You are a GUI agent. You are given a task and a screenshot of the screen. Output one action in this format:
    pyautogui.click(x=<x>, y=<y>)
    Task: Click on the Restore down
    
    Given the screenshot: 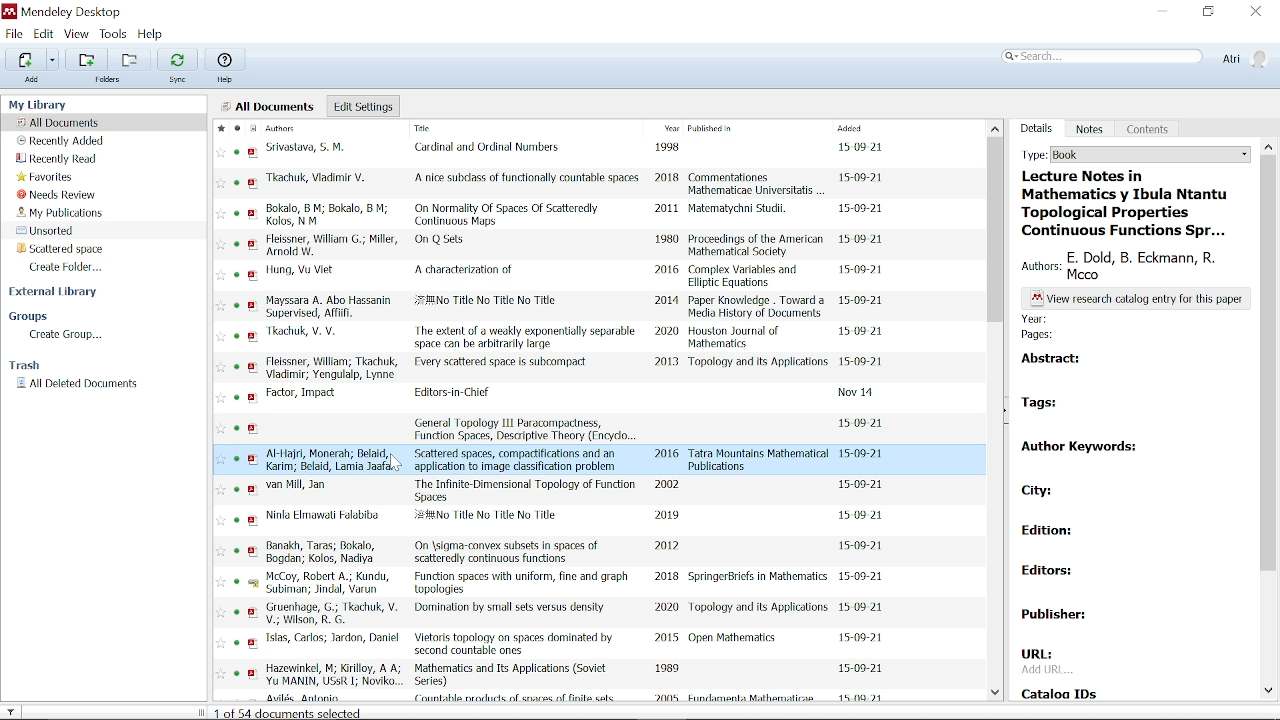 What is the action you would take?
    pyautogui.click(x=1208, y=13)
    